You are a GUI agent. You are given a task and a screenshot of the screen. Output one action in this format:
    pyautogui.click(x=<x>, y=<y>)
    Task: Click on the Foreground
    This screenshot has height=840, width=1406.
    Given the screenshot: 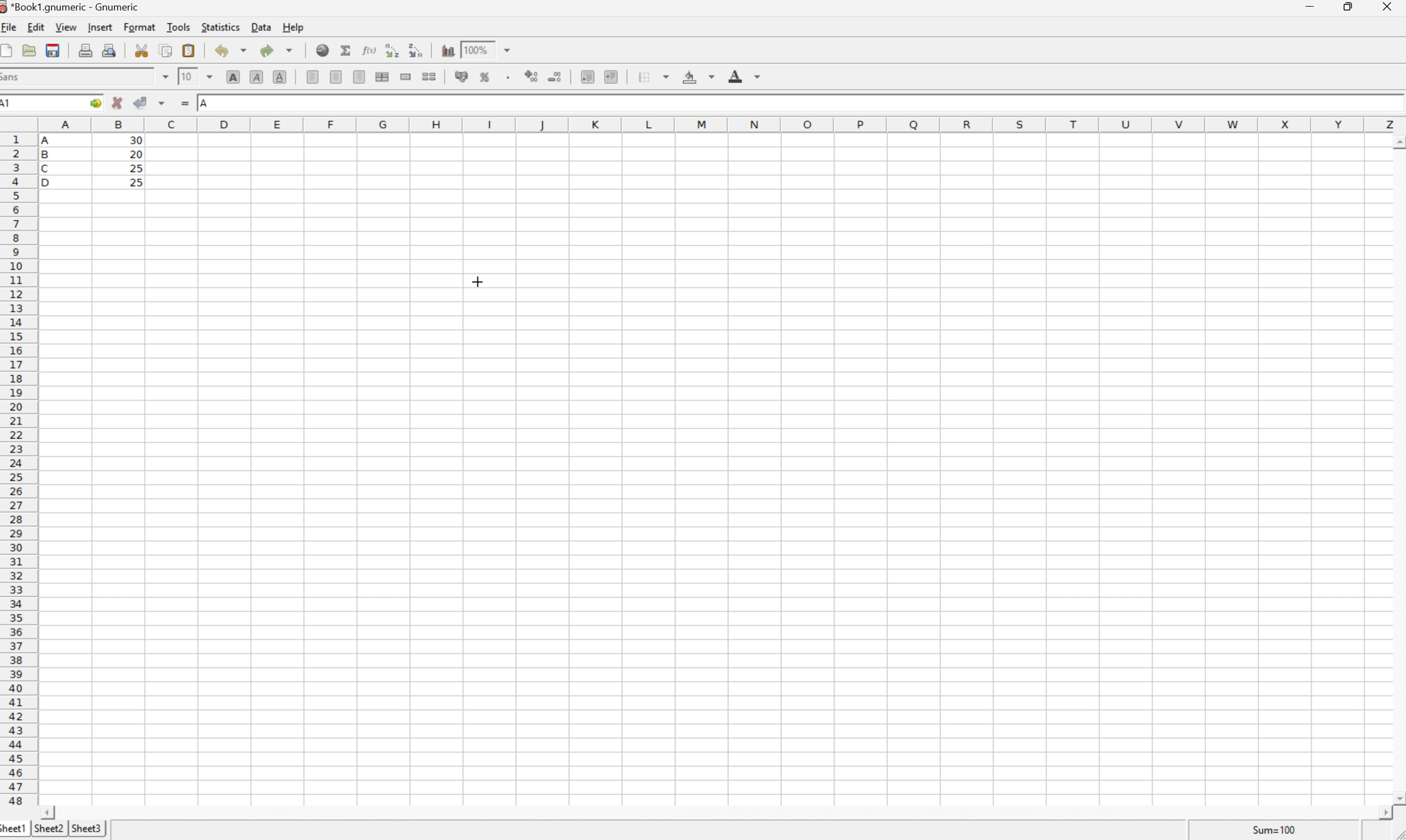 What is the action you would take?
    pyautogui.click(x=746, y=76)
    